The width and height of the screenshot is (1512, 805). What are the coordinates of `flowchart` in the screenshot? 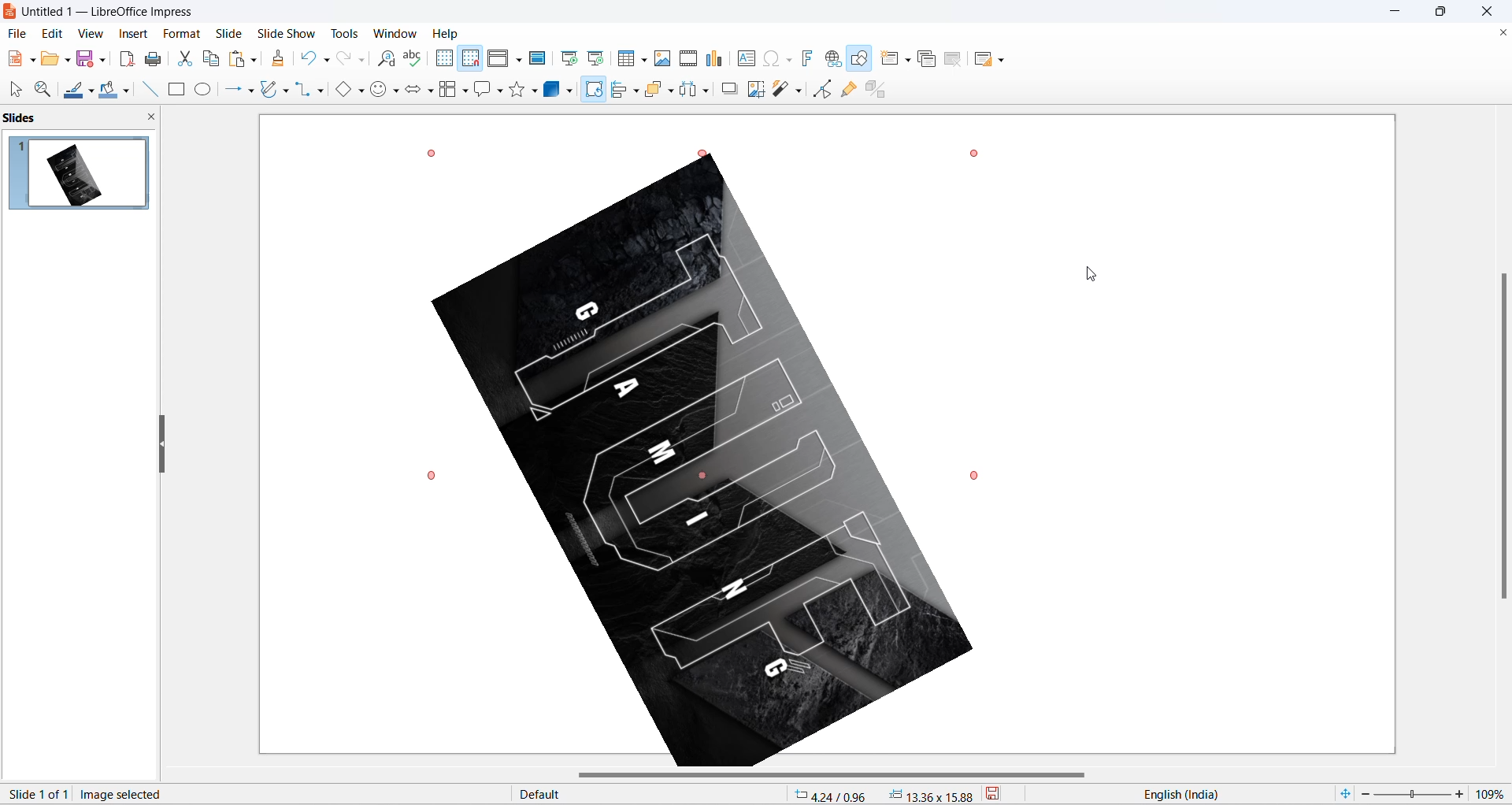 It's located at (448, 91).